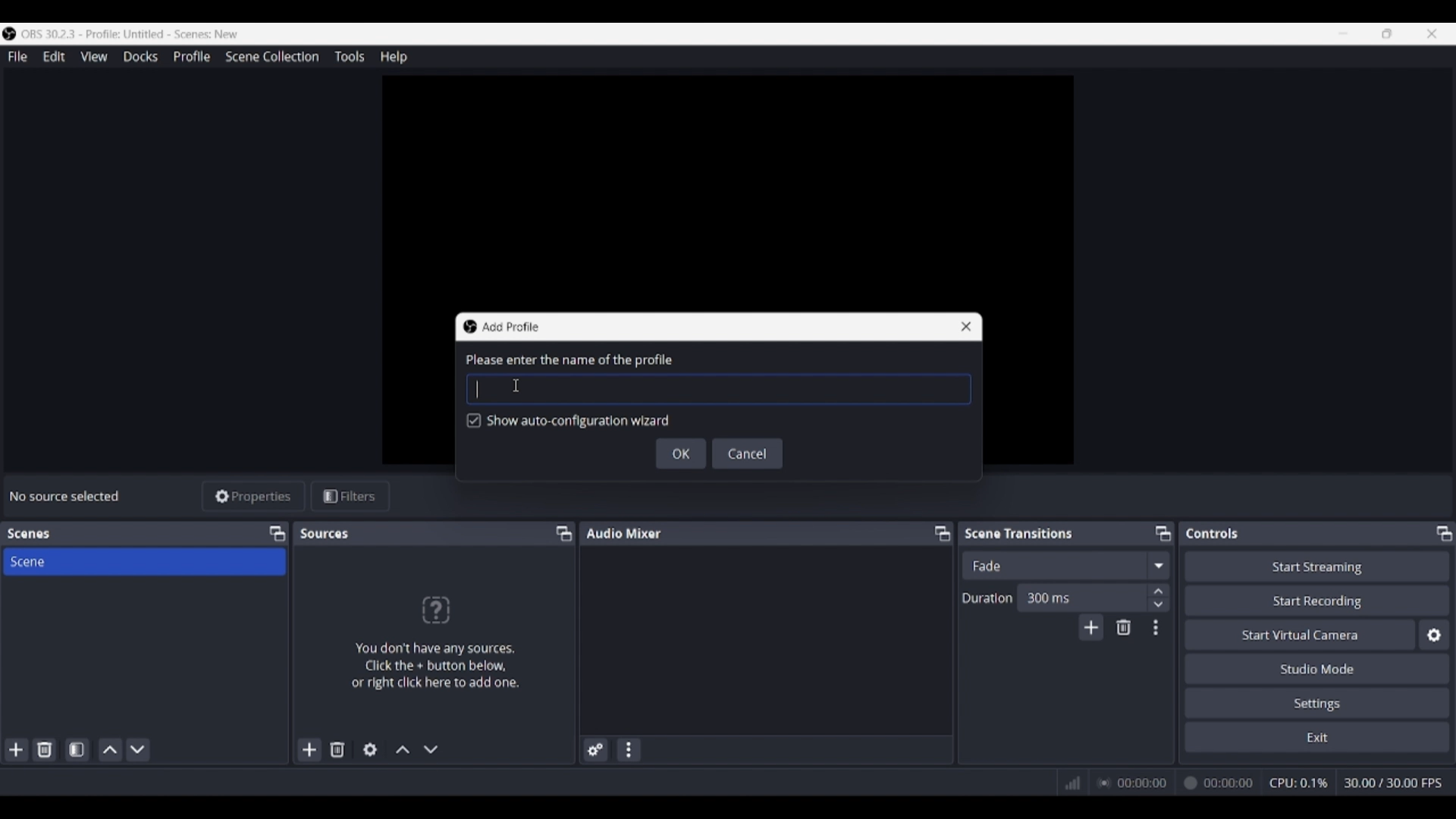  What do you see at coordinates (1163, 533) in the screenshot?
I see `Float Scene transitions panel` at bounding box center [1163, 533].